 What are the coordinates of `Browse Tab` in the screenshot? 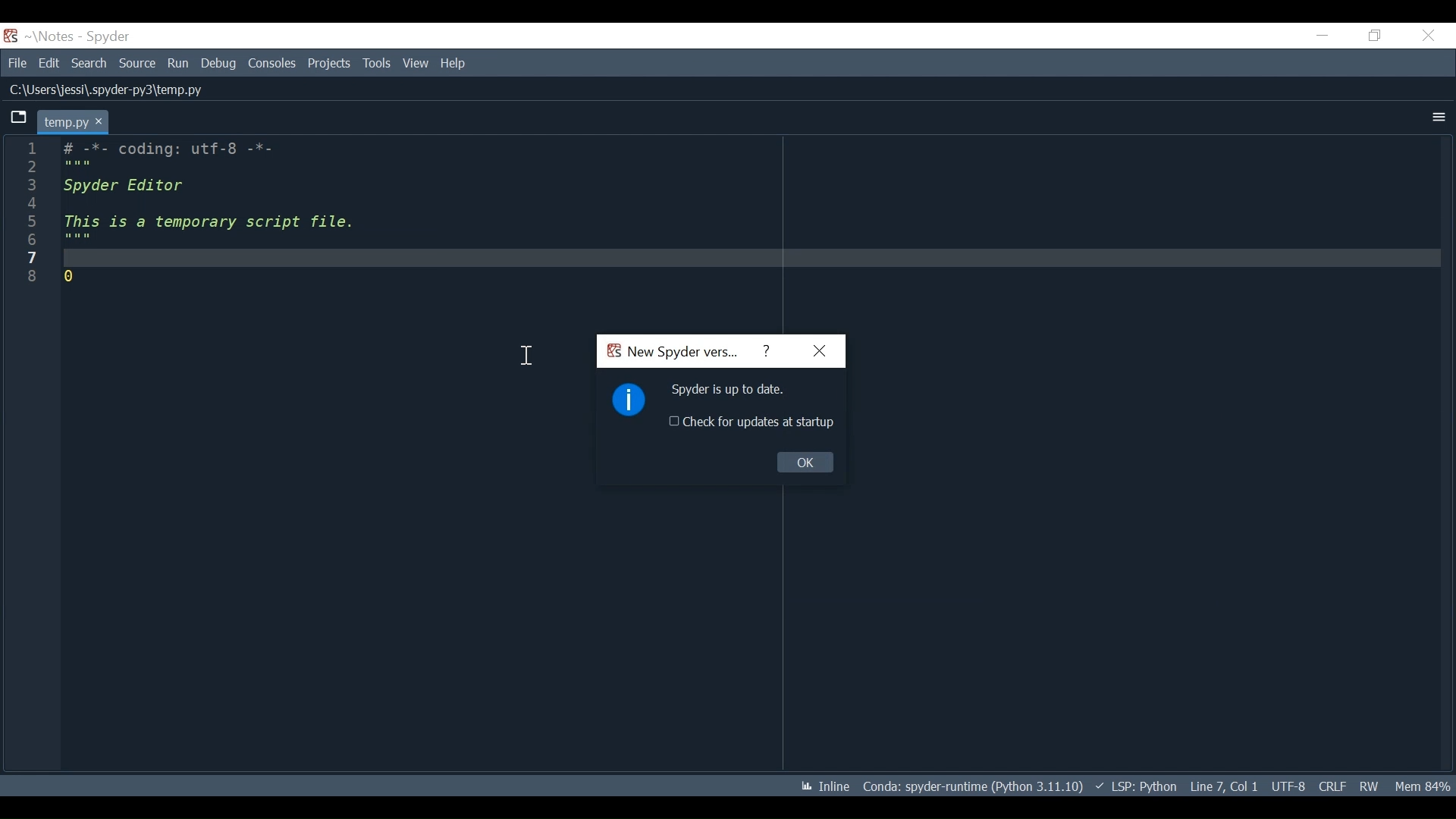 It's located at (19, 118).